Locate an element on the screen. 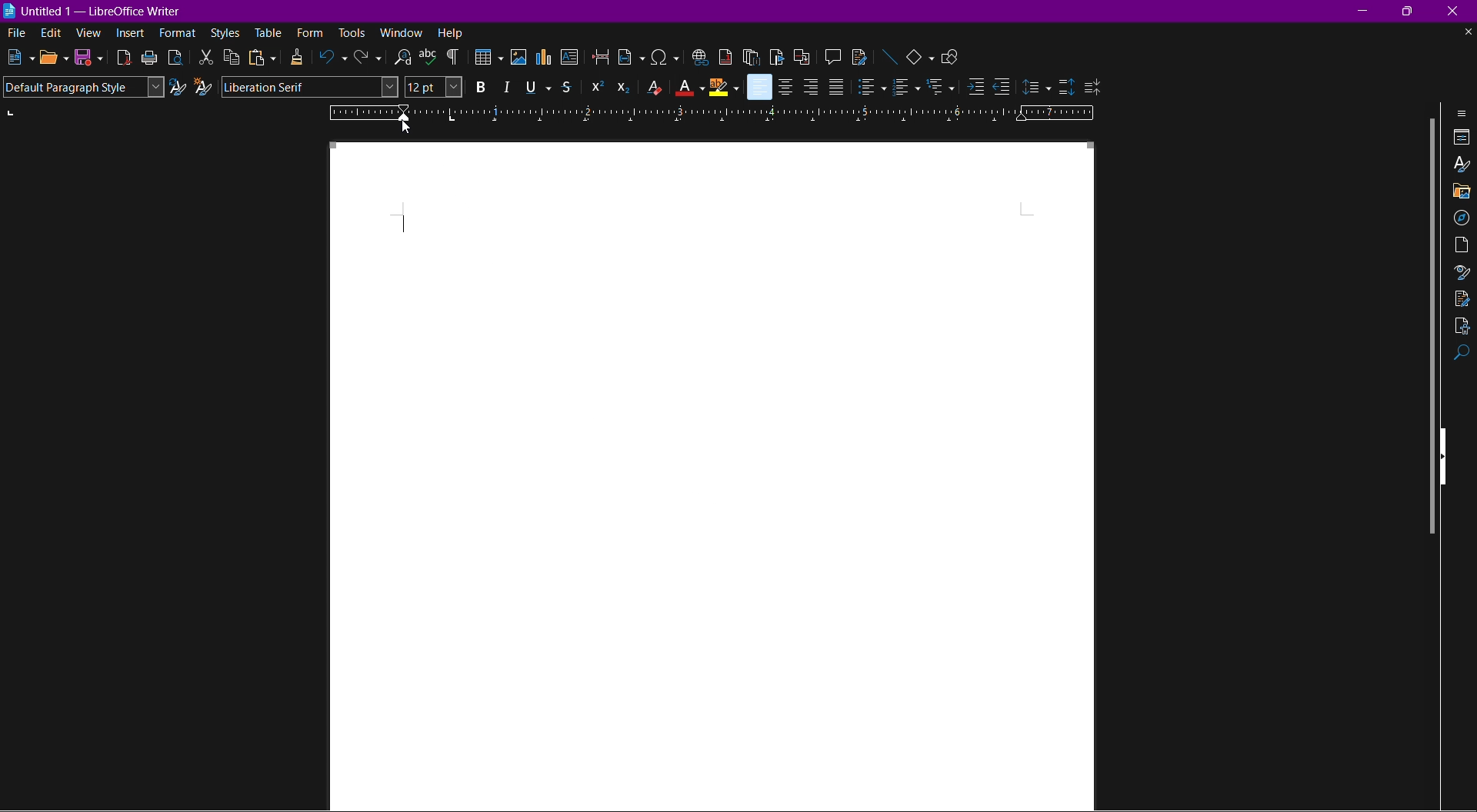  Show Draw functions is located at coordinates (954, 55).